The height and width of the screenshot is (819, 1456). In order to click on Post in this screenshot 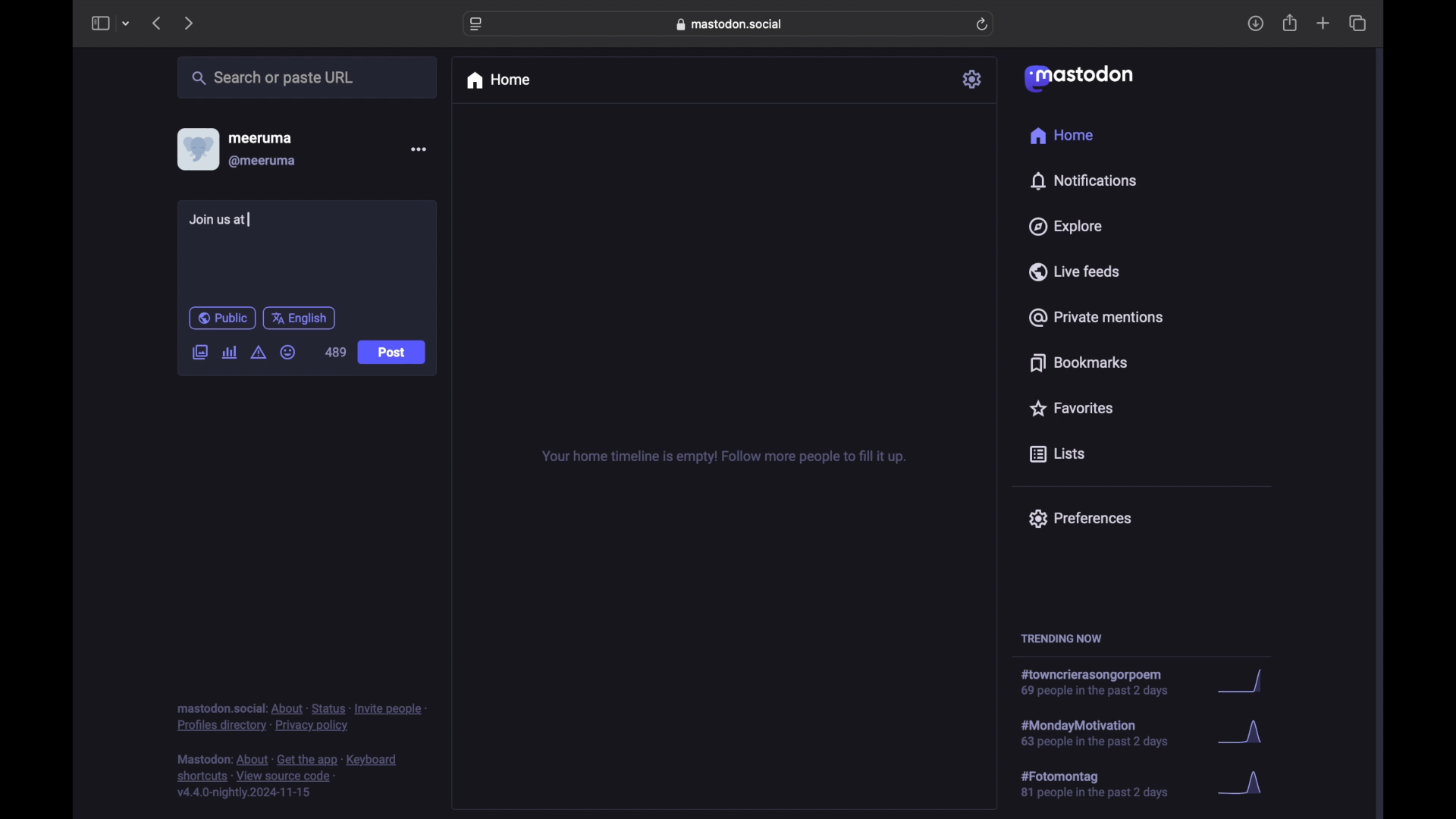, I will do `click(394, 354)`.